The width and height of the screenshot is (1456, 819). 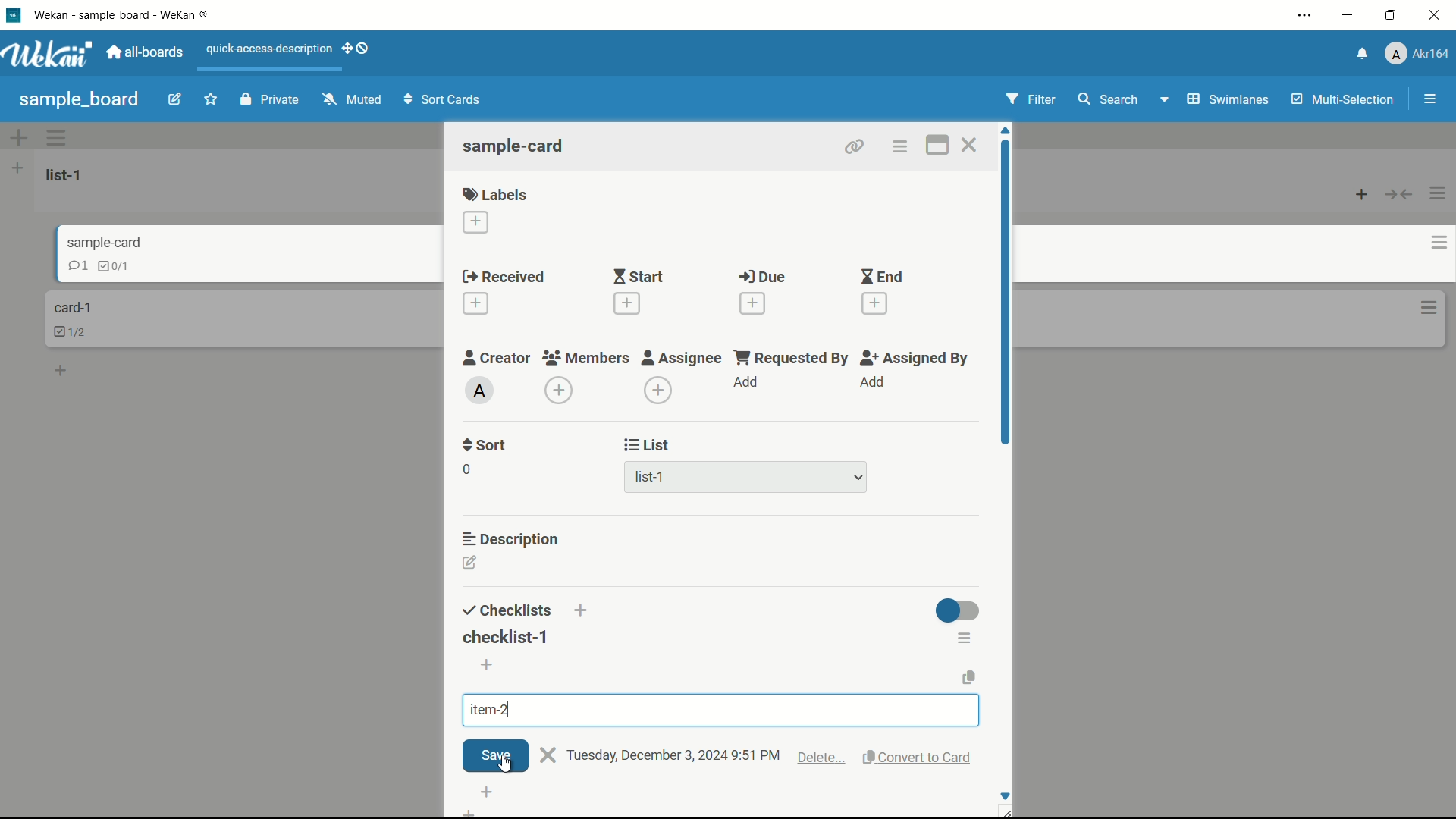 What do you see at coordinates (968, 677) in the screenshot?
I see `copy text to clipboard` at bounding box center [968, 677].